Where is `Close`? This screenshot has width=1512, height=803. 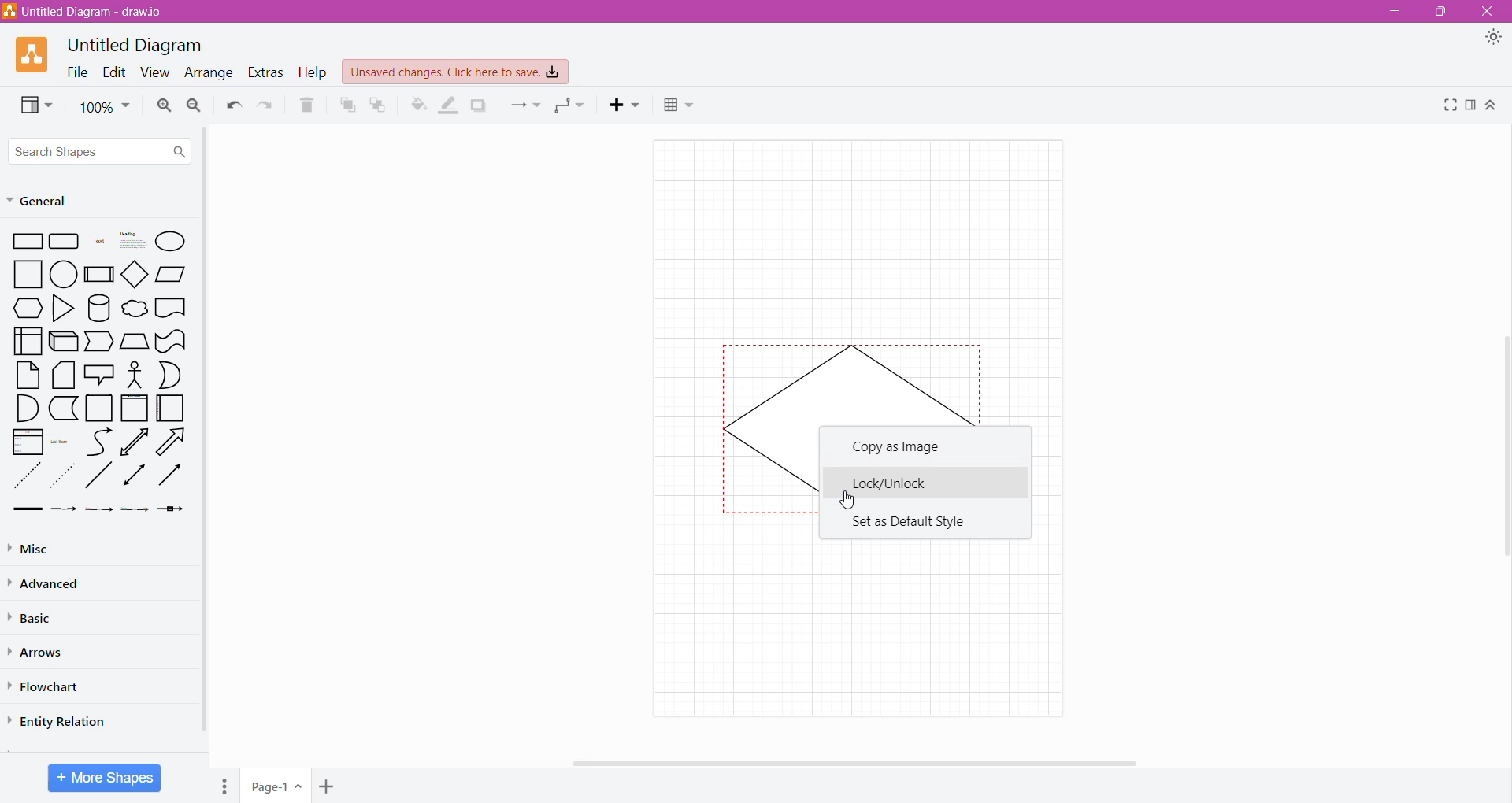
Close is located at coordinates (1489, 12).